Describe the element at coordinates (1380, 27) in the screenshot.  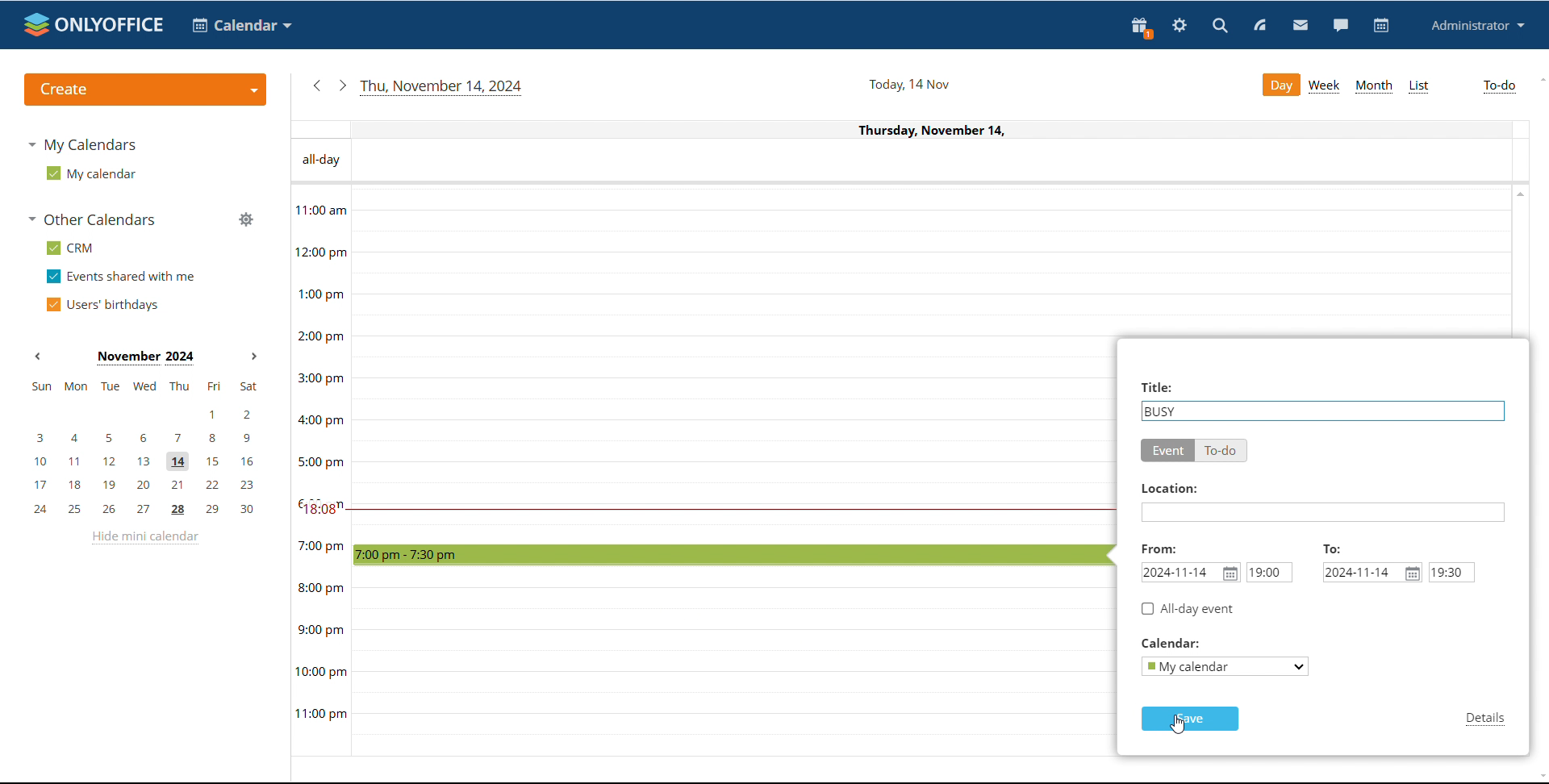
I see `calendar` at that location.